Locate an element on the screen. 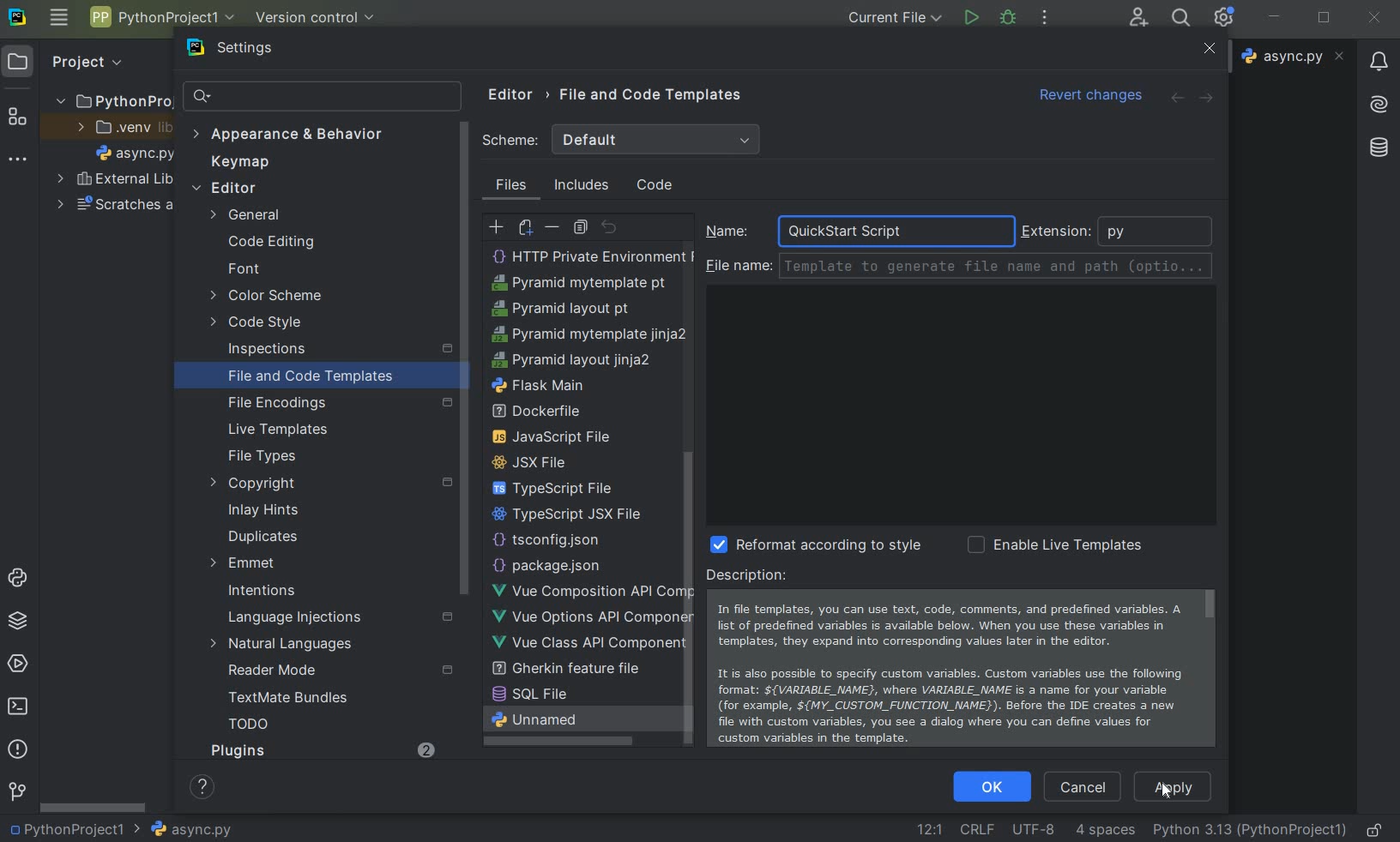 The image size is (1400, 842). external libraries is located at coordinates (111, 180).